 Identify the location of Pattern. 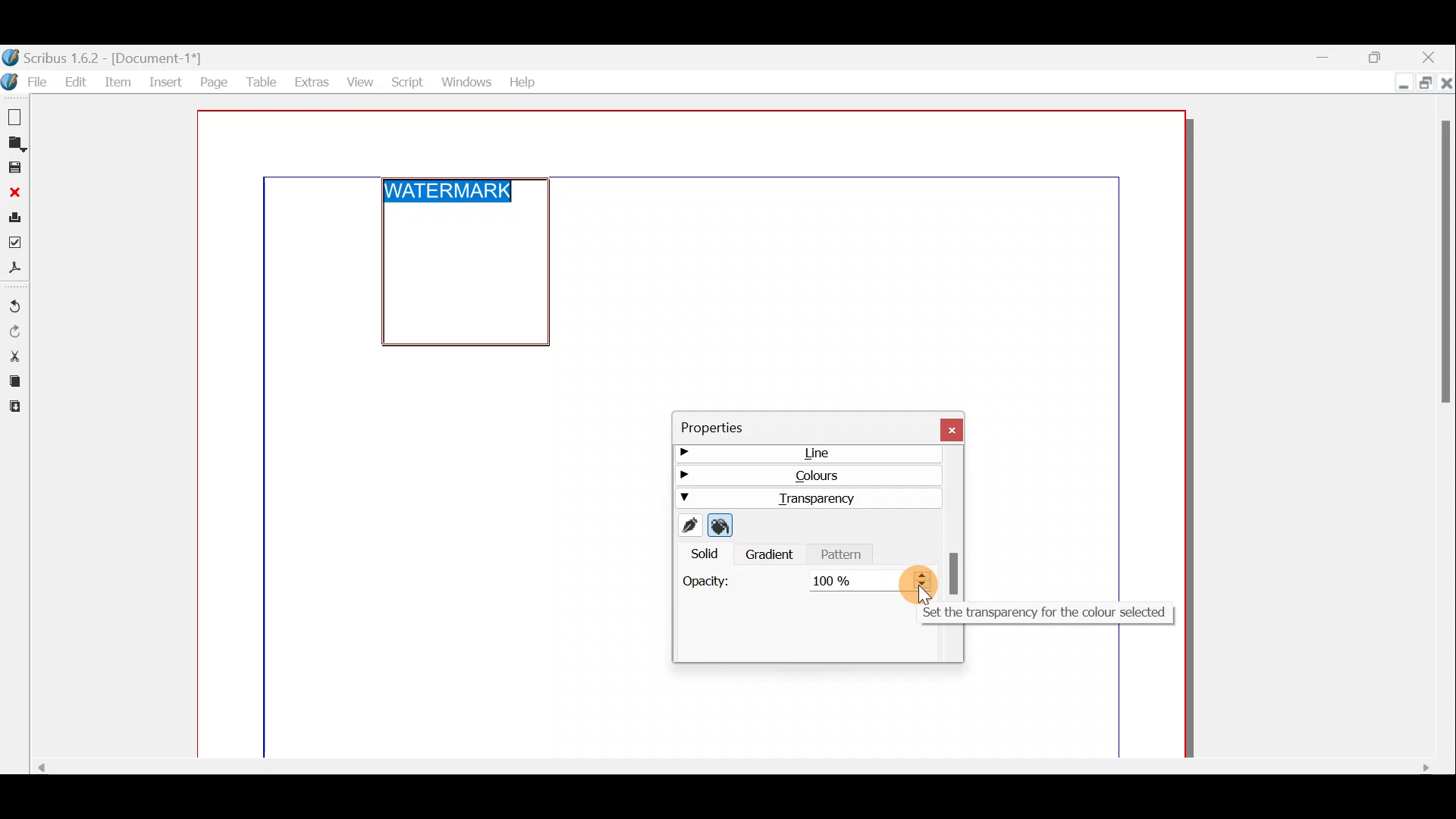
(844, 555).